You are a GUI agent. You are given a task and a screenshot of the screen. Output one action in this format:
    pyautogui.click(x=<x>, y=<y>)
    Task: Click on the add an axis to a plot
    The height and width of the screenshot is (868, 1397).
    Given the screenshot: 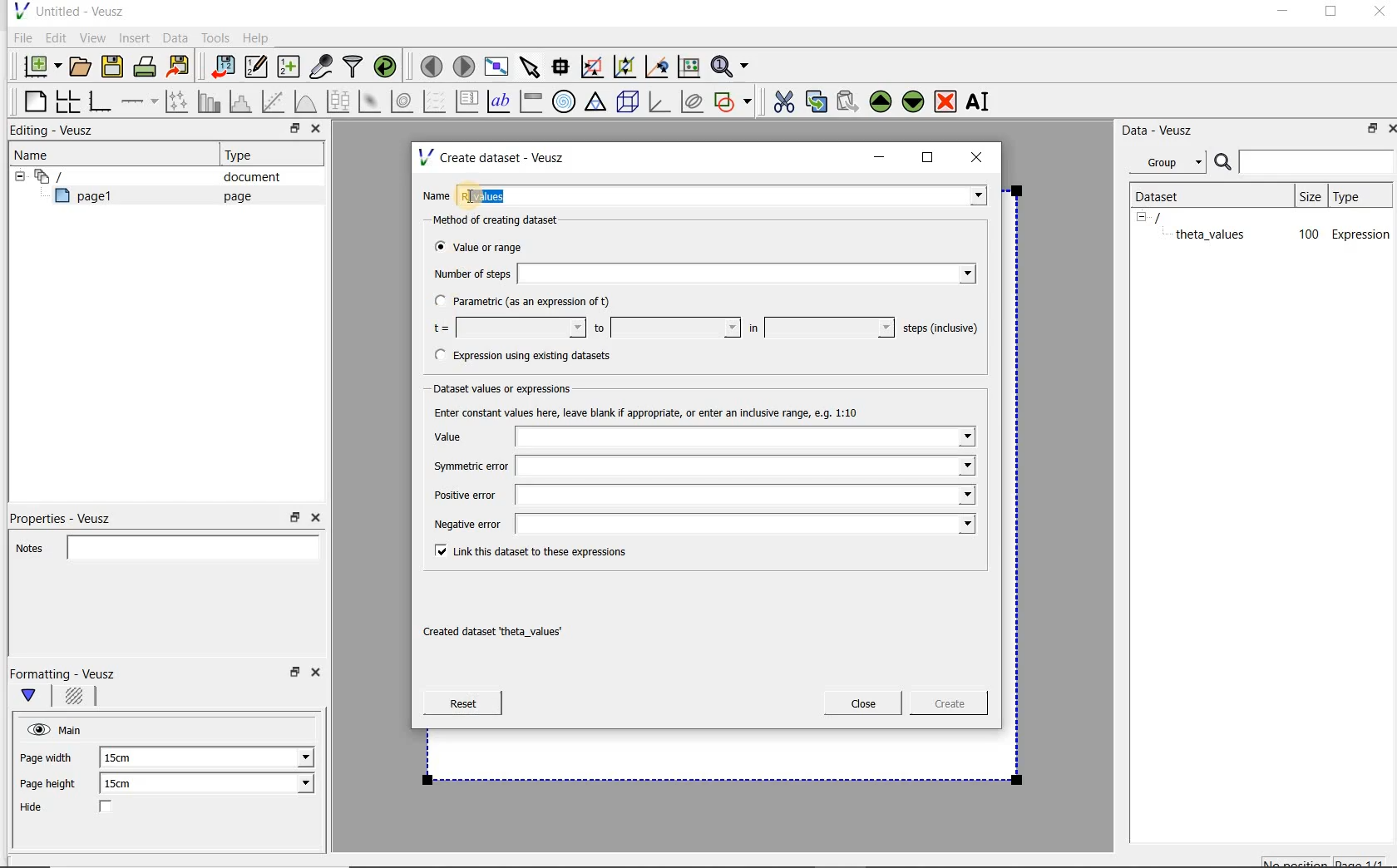 What is the action you would take?
    pyautogui.click(x=141, y=101)
    